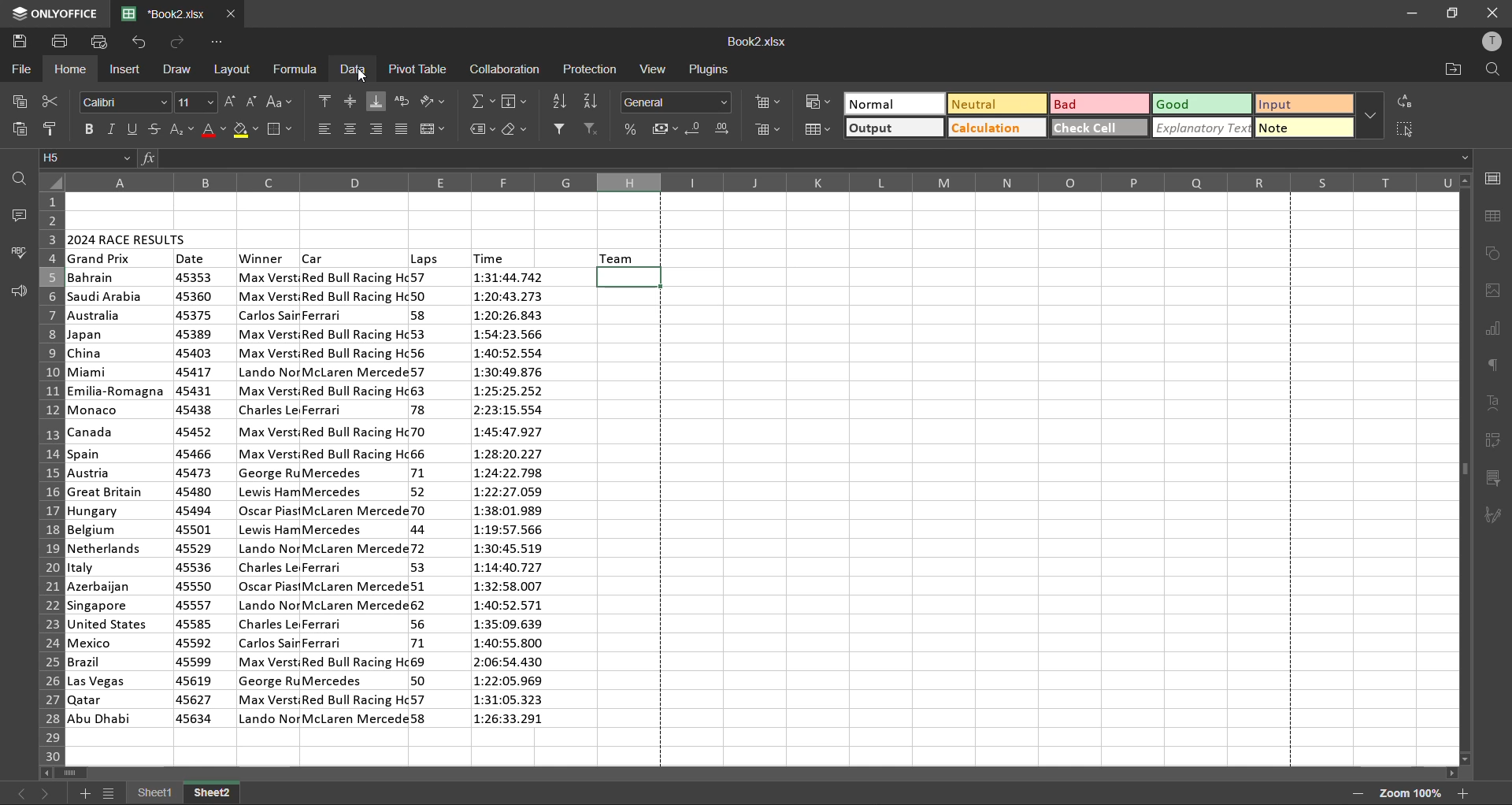  What do you see at coordinates (179, 42) in the screenshot?
I see `redo` at bounding box center [179, 42].